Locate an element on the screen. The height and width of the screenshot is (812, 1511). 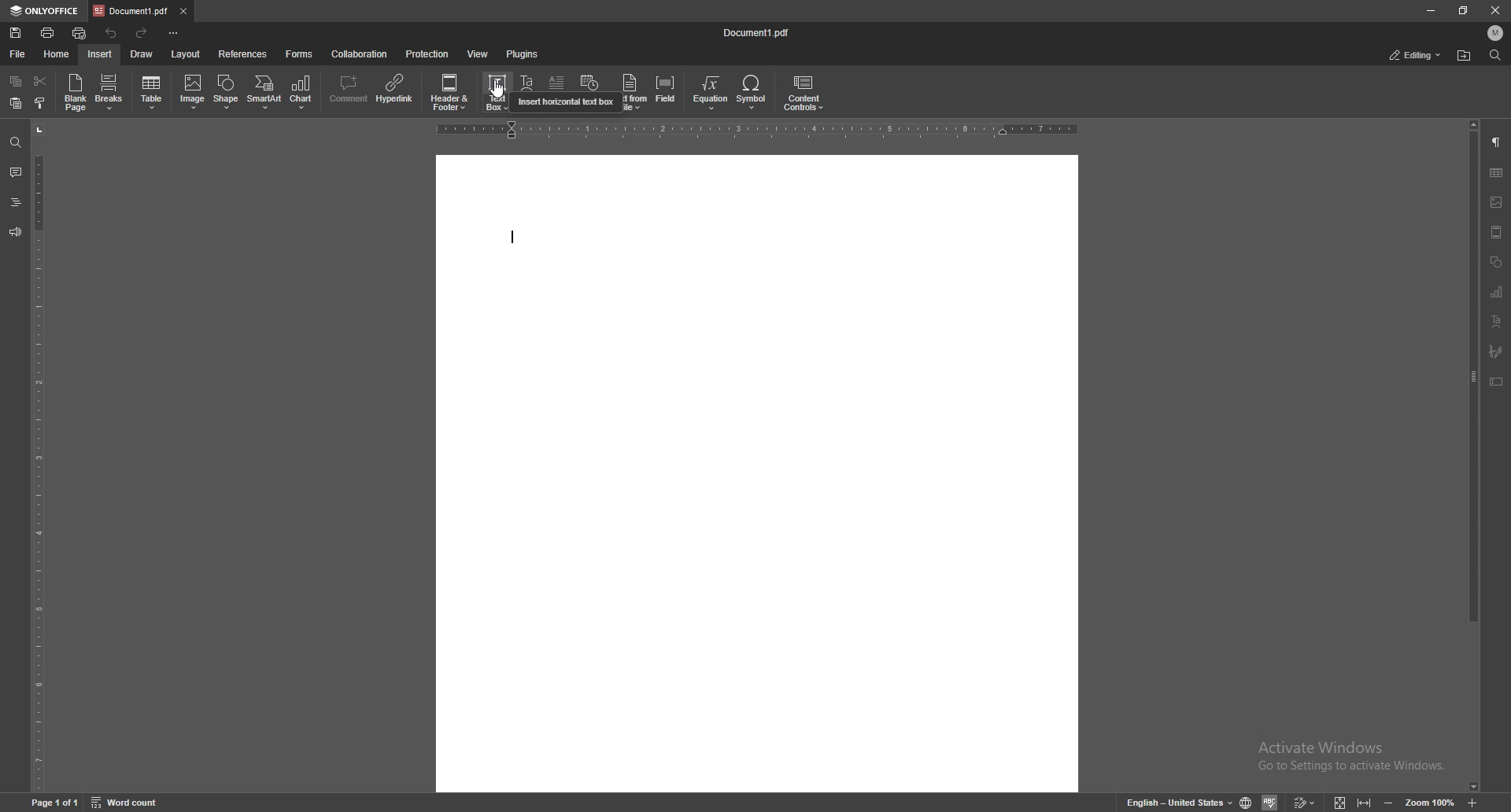
plugins is located at coordinates (523, 54).